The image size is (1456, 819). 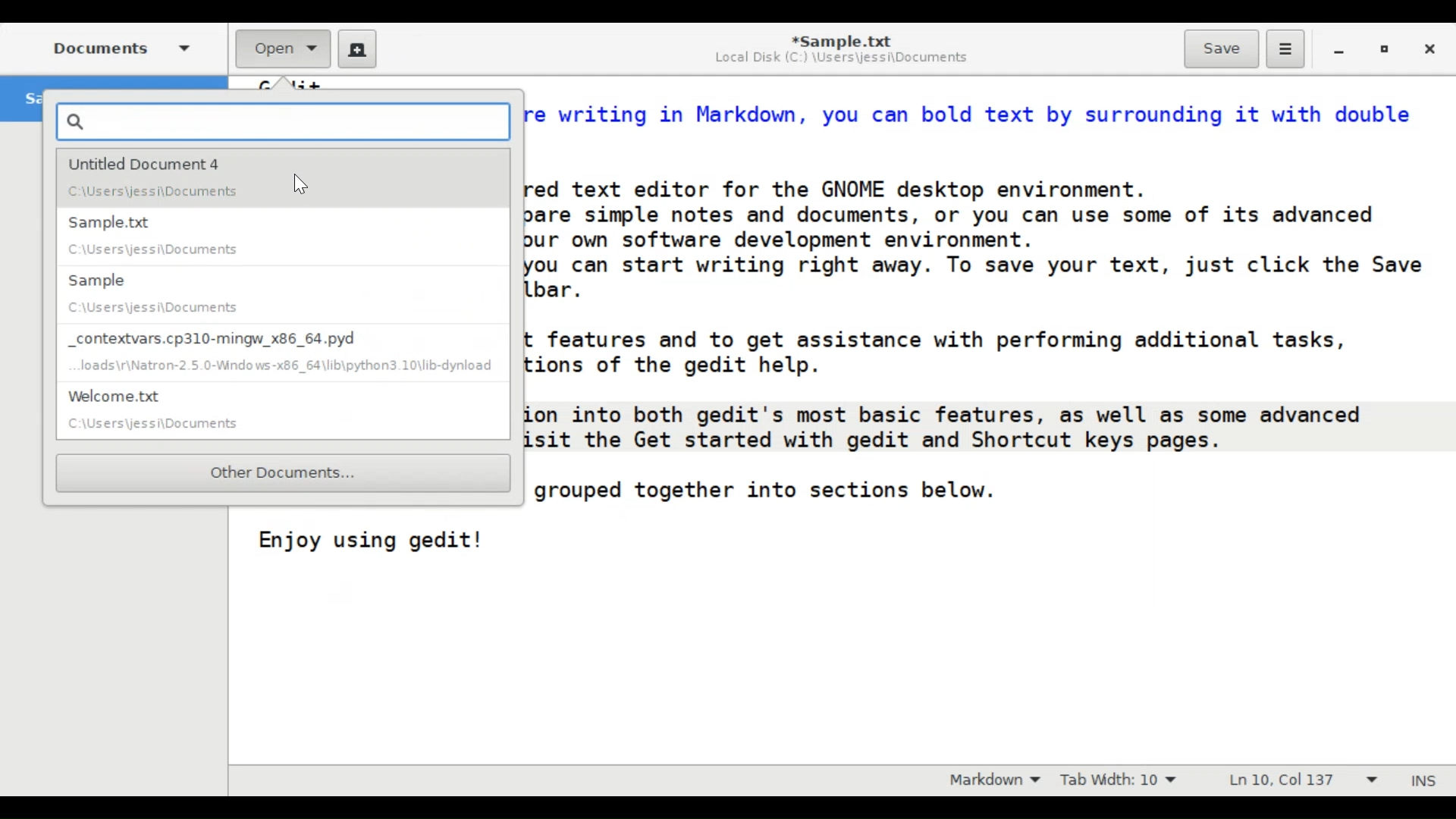 I want to click on Open, so click(x=284, y=49).